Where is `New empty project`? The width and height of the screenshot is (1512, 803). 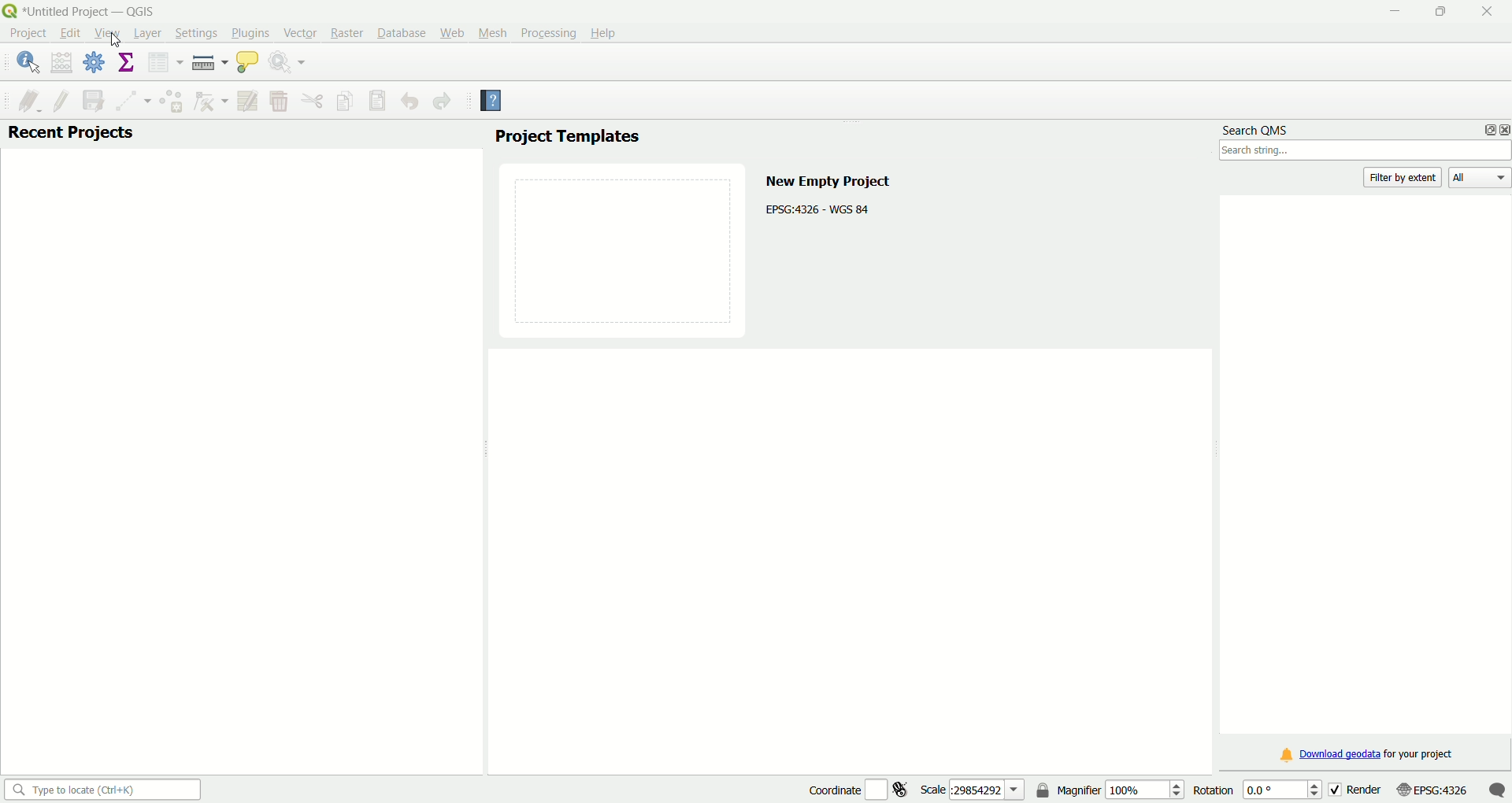 New empty project is located at coordinates (827, 179).